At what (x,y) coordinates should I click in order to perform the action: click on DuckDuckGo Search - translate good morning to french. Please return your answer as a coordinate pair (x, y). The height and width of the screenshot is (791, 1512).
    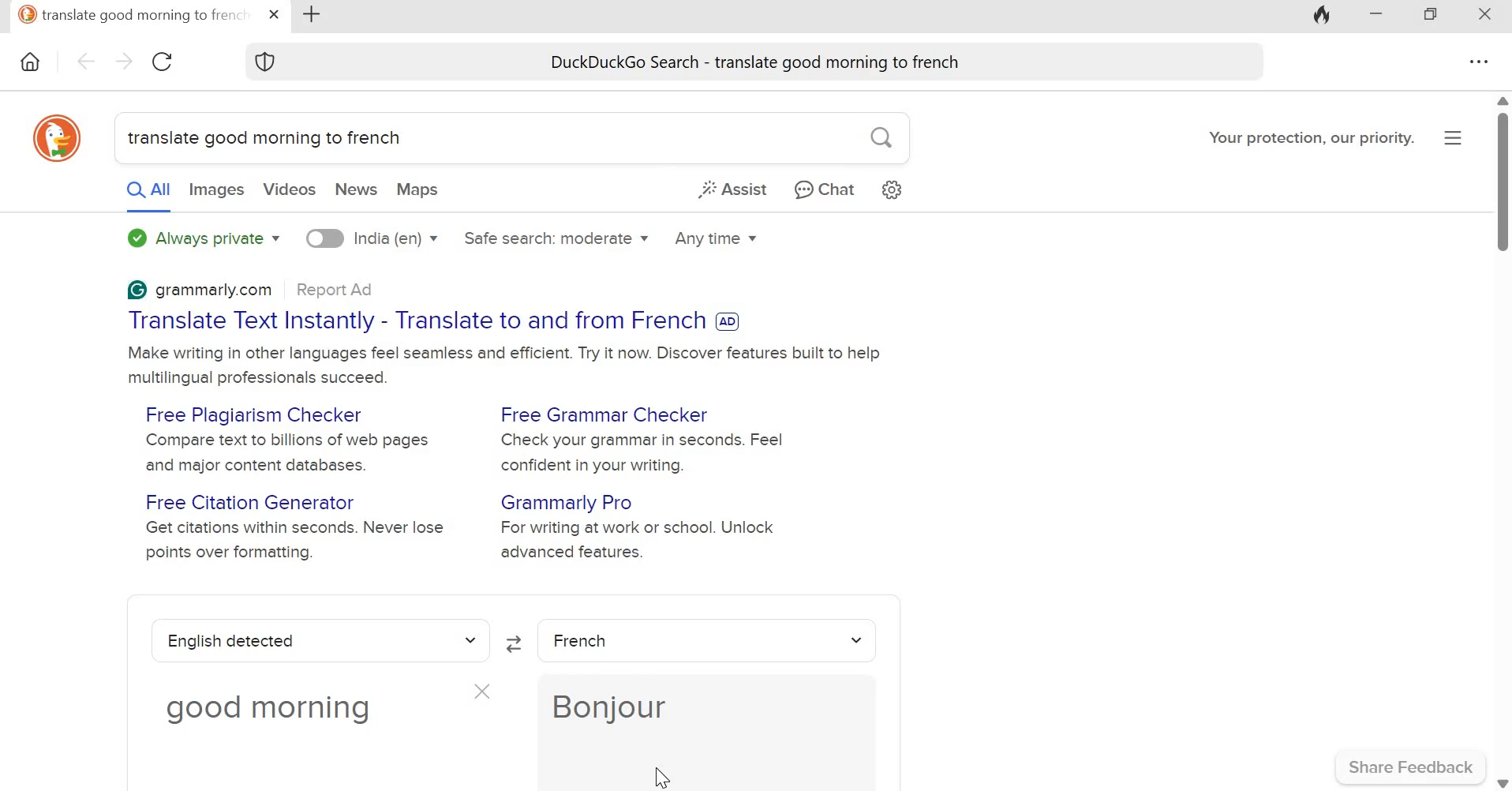
    Looking at the image, I should click on (750, 58).